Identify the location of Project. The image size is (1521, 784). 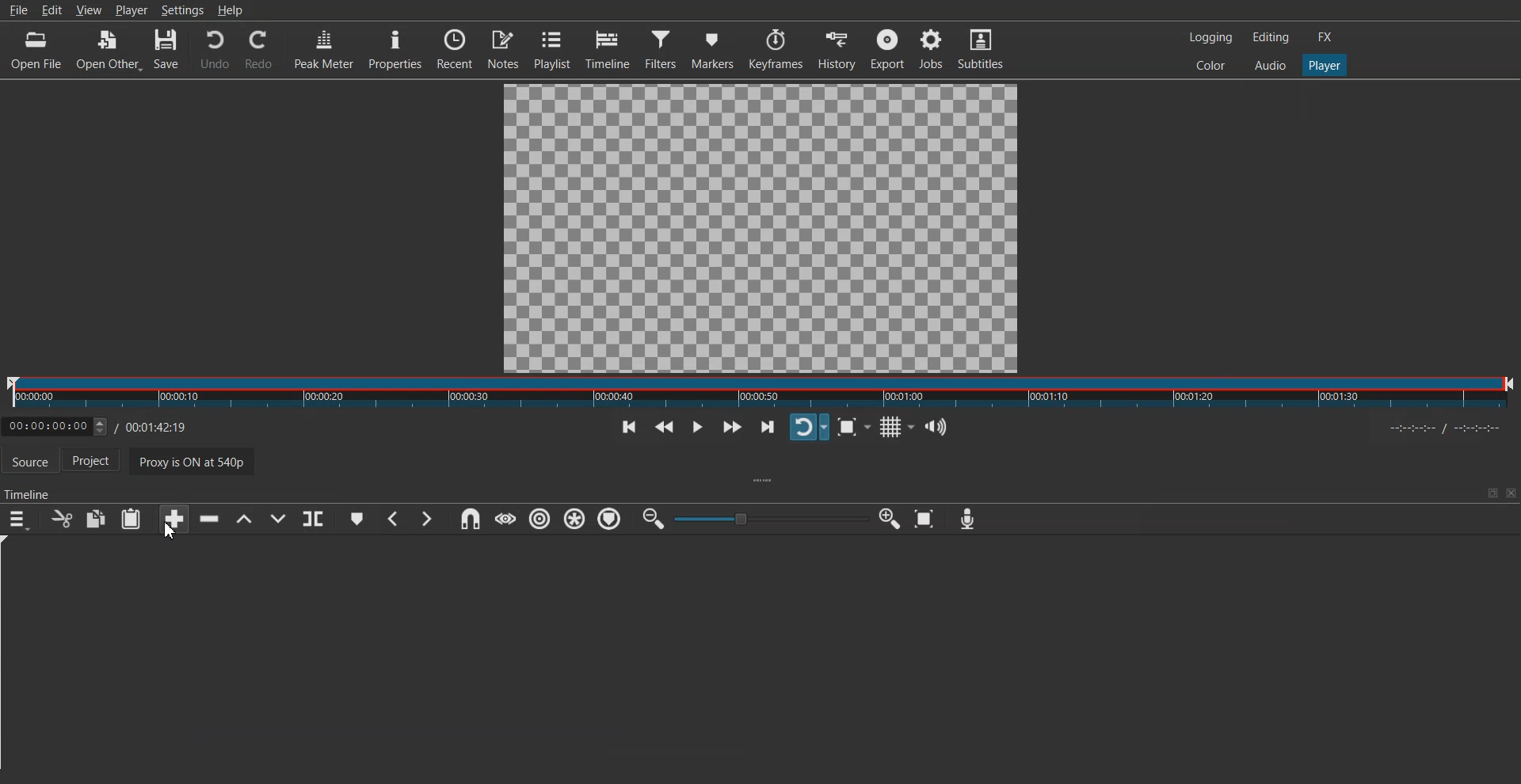
(99, 462).